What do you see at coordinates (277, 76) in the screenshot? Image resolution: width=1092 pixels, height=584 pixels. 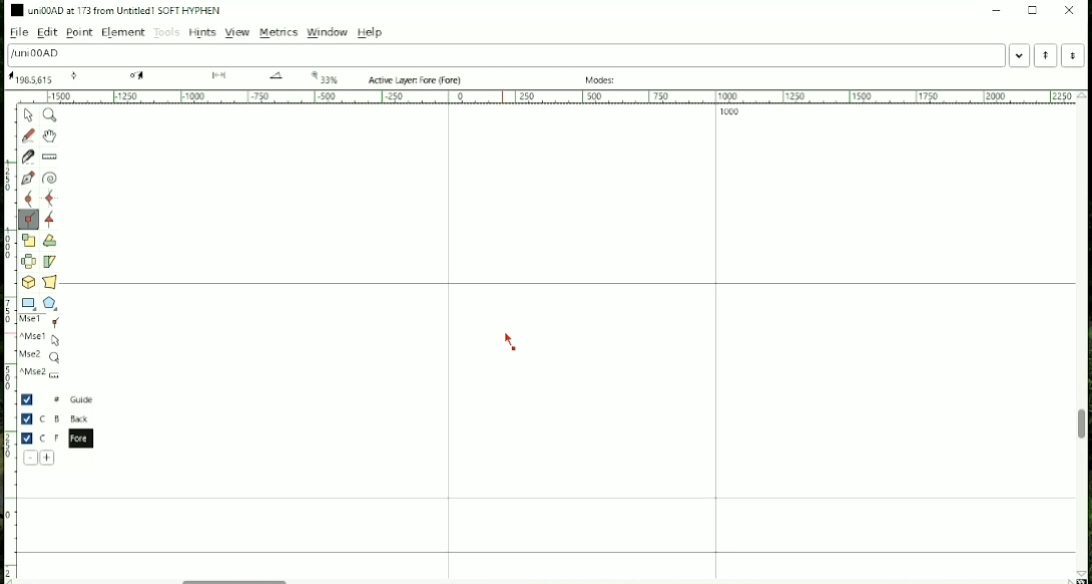 I see `173 Oxad U+00AD "uni00AD" SOFT HYPHEN` at bounding box center [277, 76].